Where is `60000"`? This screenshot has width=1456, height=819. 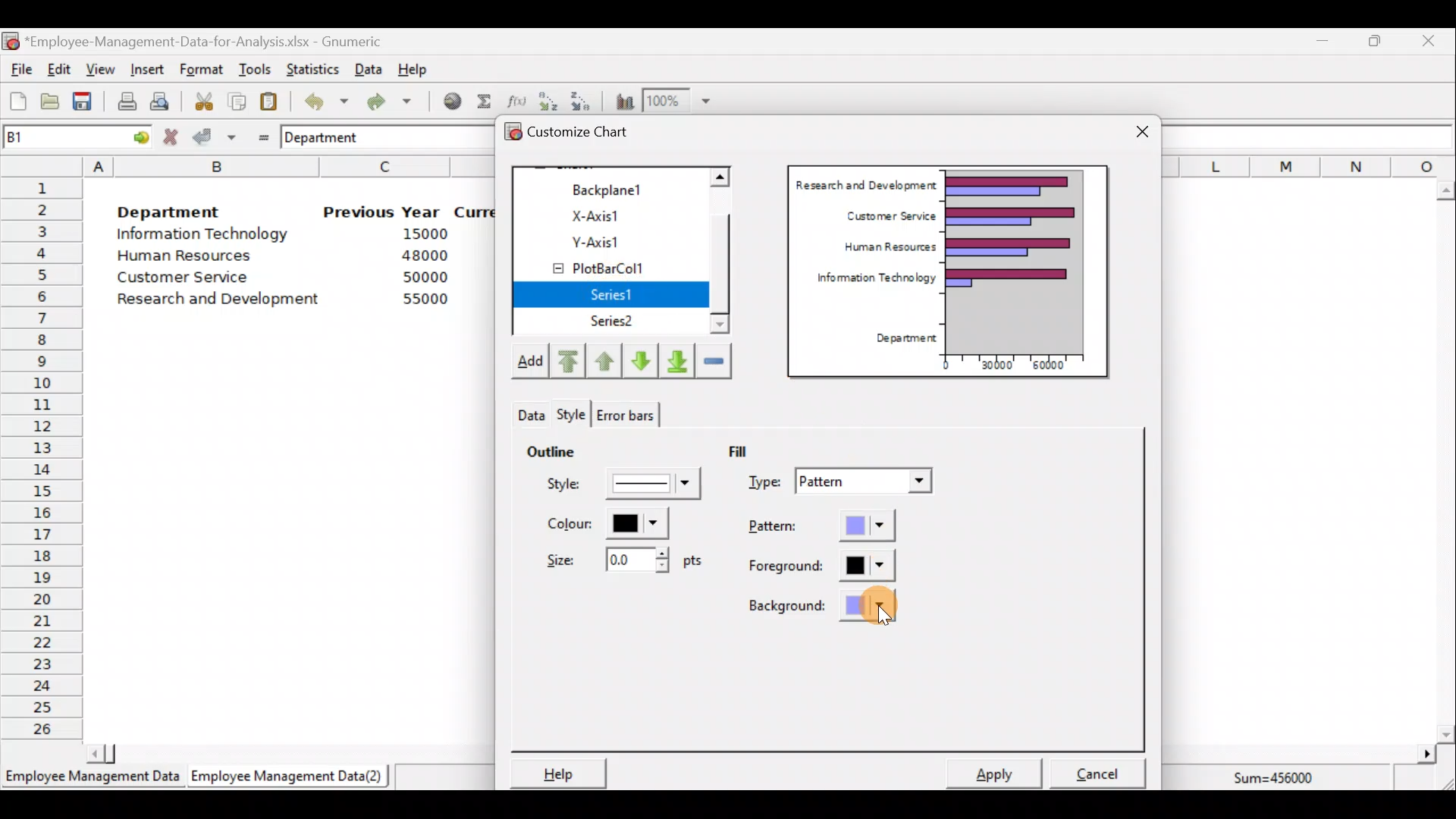
60000" is located at coordinates (1057, 367).